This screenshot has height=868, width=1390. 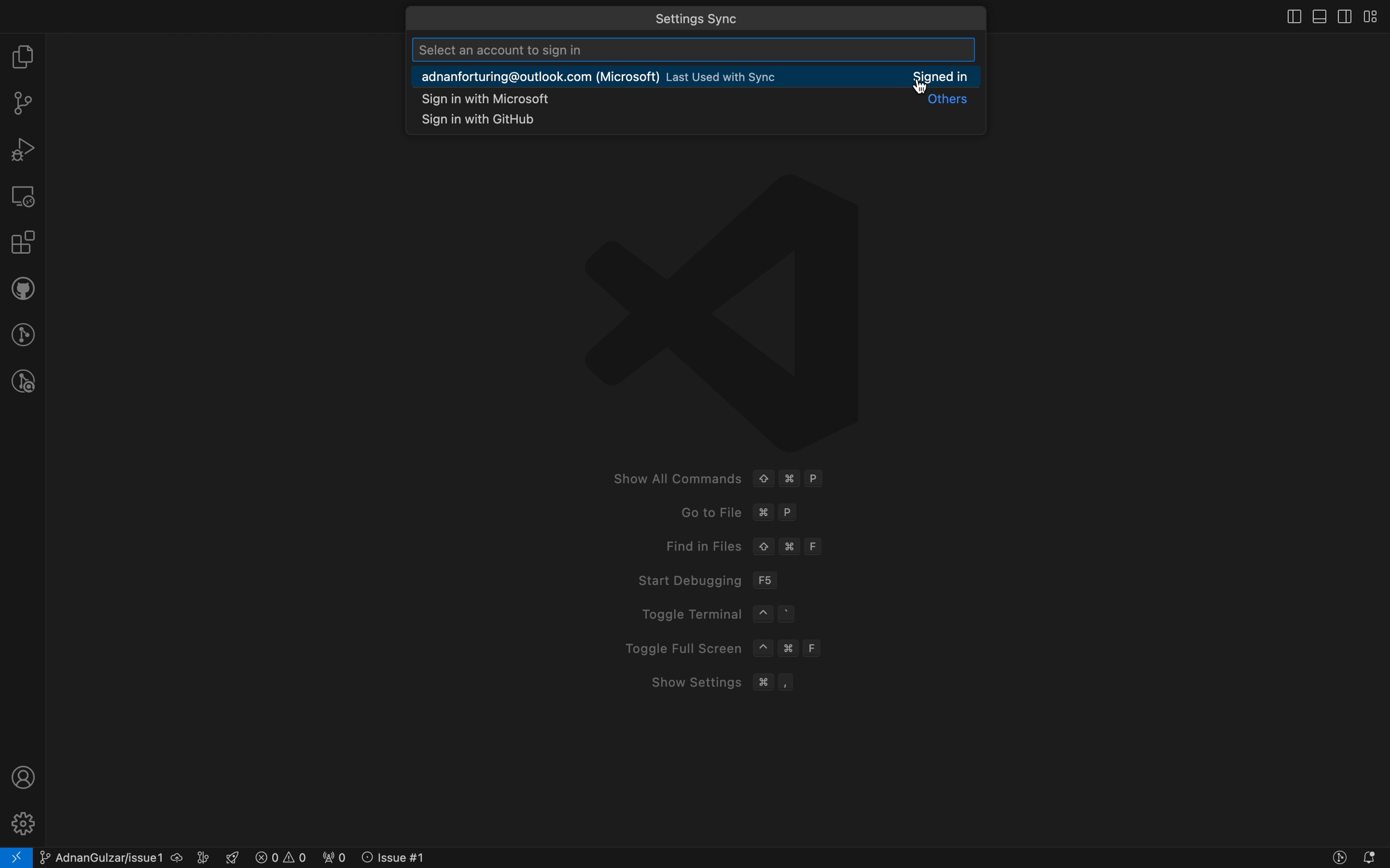 I want to click on layouts, so click(x=1376, y=17).